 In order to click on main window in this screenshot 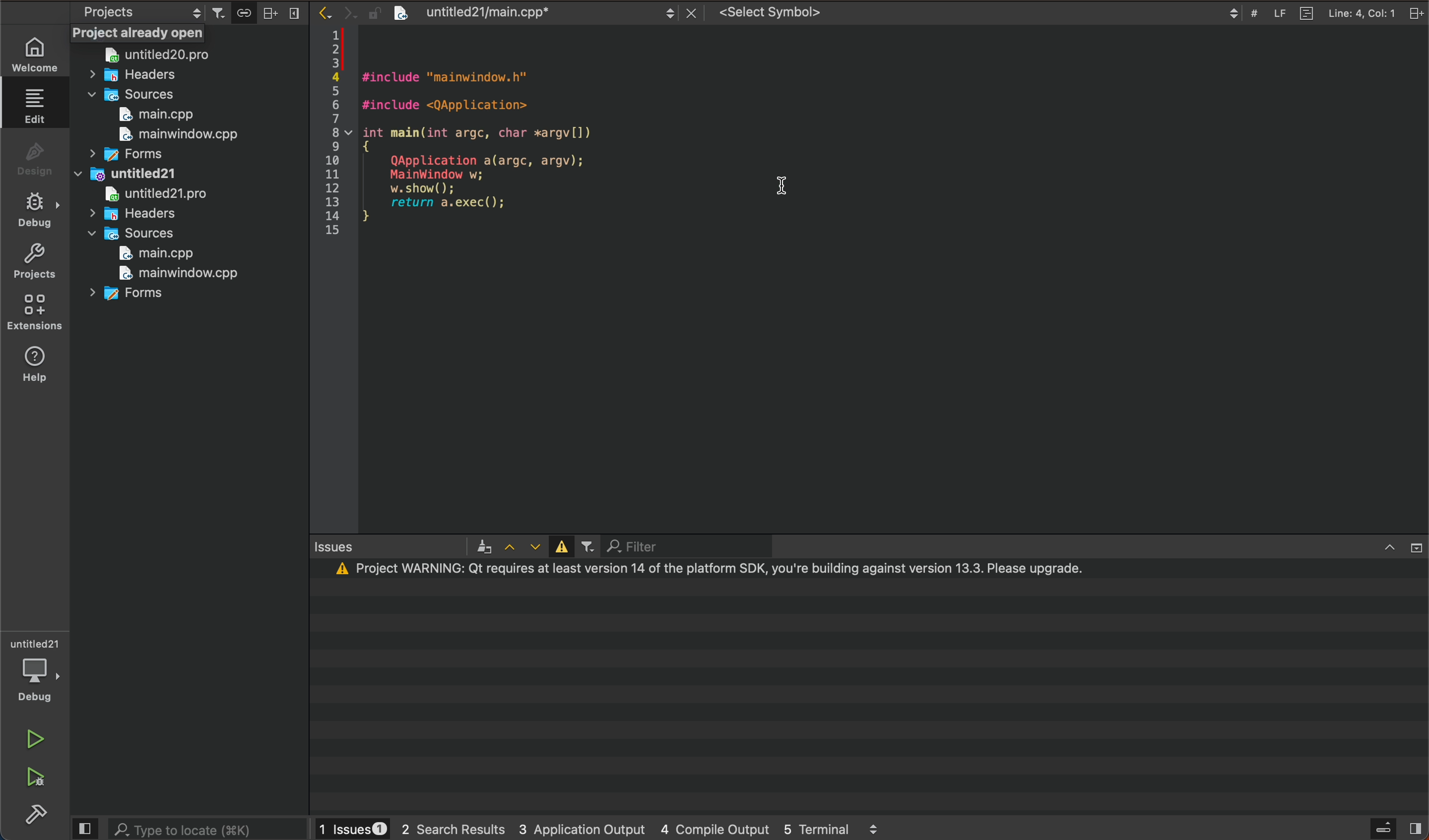, I will do `click(171, 273)`.